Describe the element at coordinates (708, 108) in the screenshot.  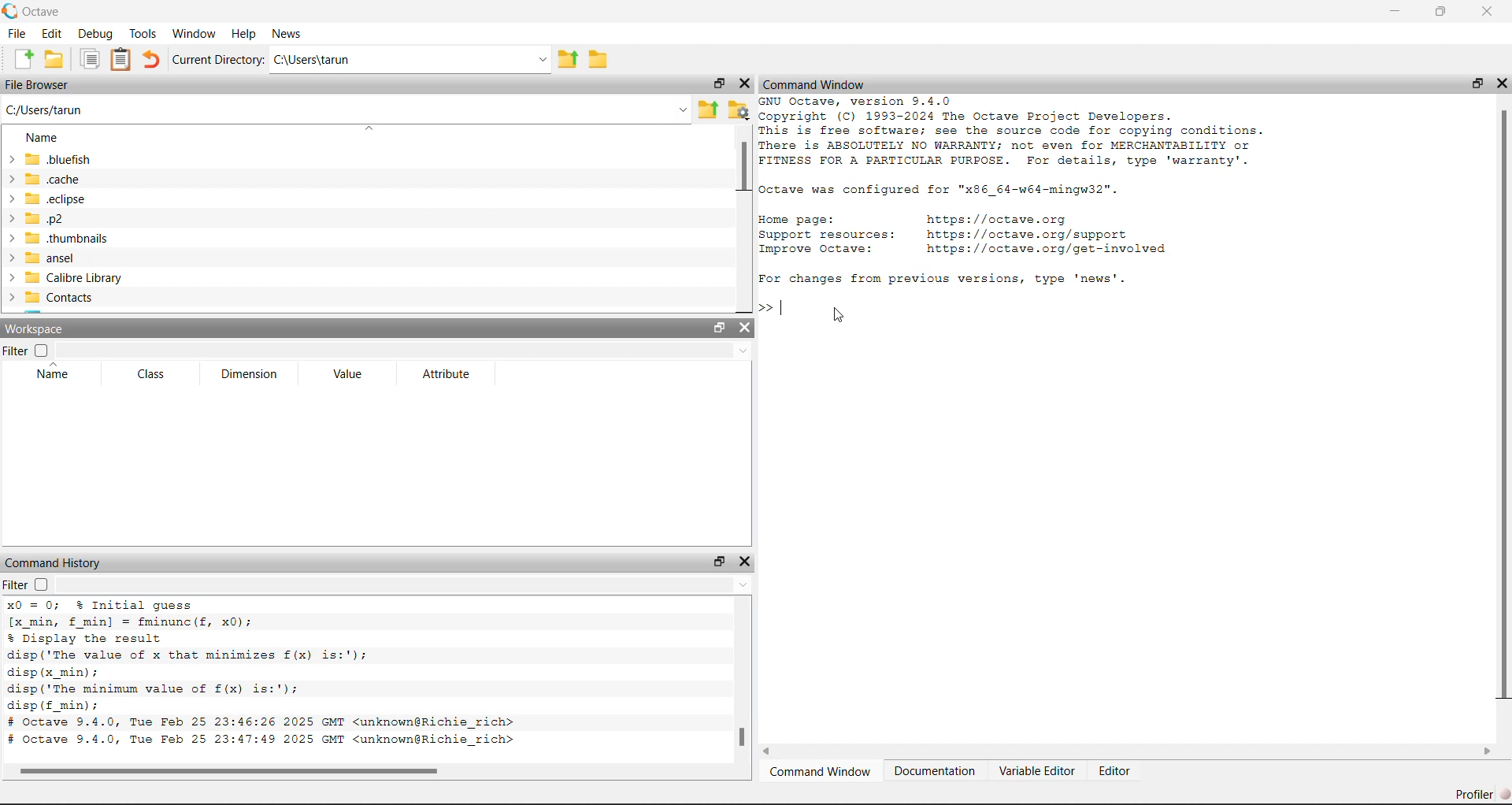
I see `one directory up` at that location.